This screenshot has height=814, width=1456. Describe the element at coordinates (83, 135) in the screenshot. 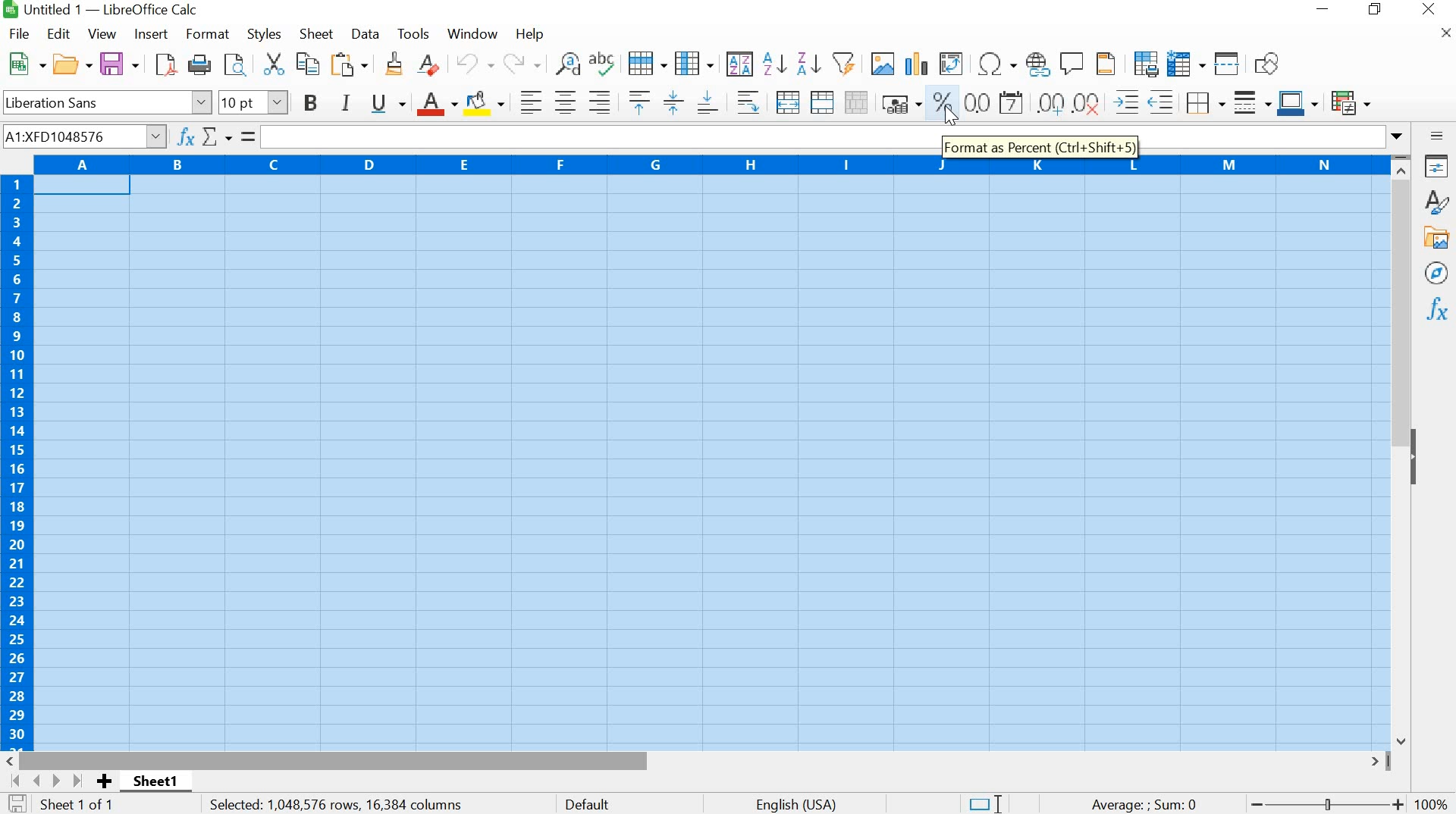

I see `Name Box` at that location.